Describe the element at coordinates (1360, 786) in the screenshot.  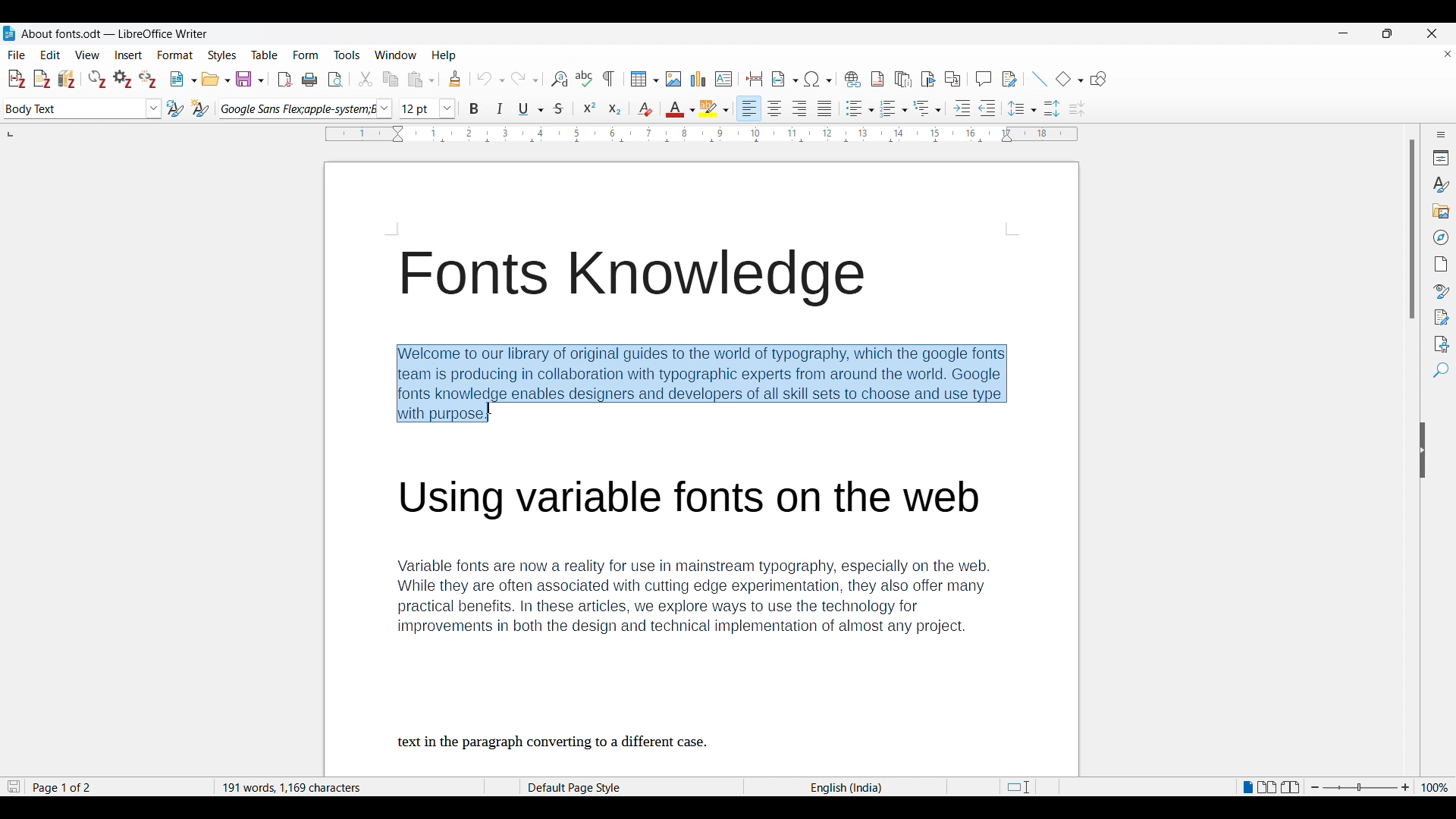
I see `Zoom slider` at that location.